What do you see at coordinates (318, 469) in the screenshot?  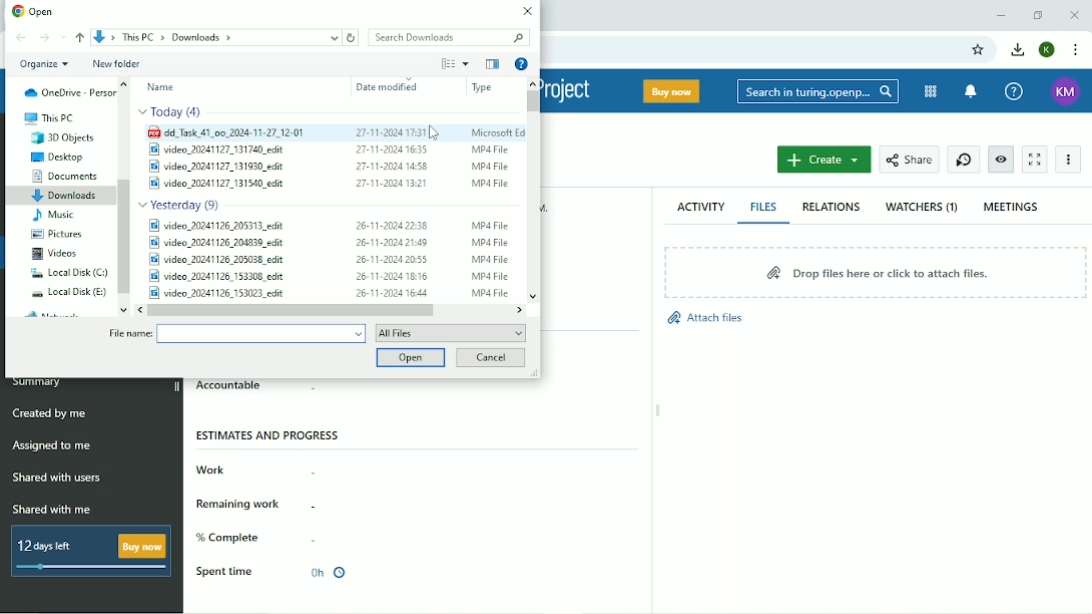 I see `-` at bounding box center [318, 469].